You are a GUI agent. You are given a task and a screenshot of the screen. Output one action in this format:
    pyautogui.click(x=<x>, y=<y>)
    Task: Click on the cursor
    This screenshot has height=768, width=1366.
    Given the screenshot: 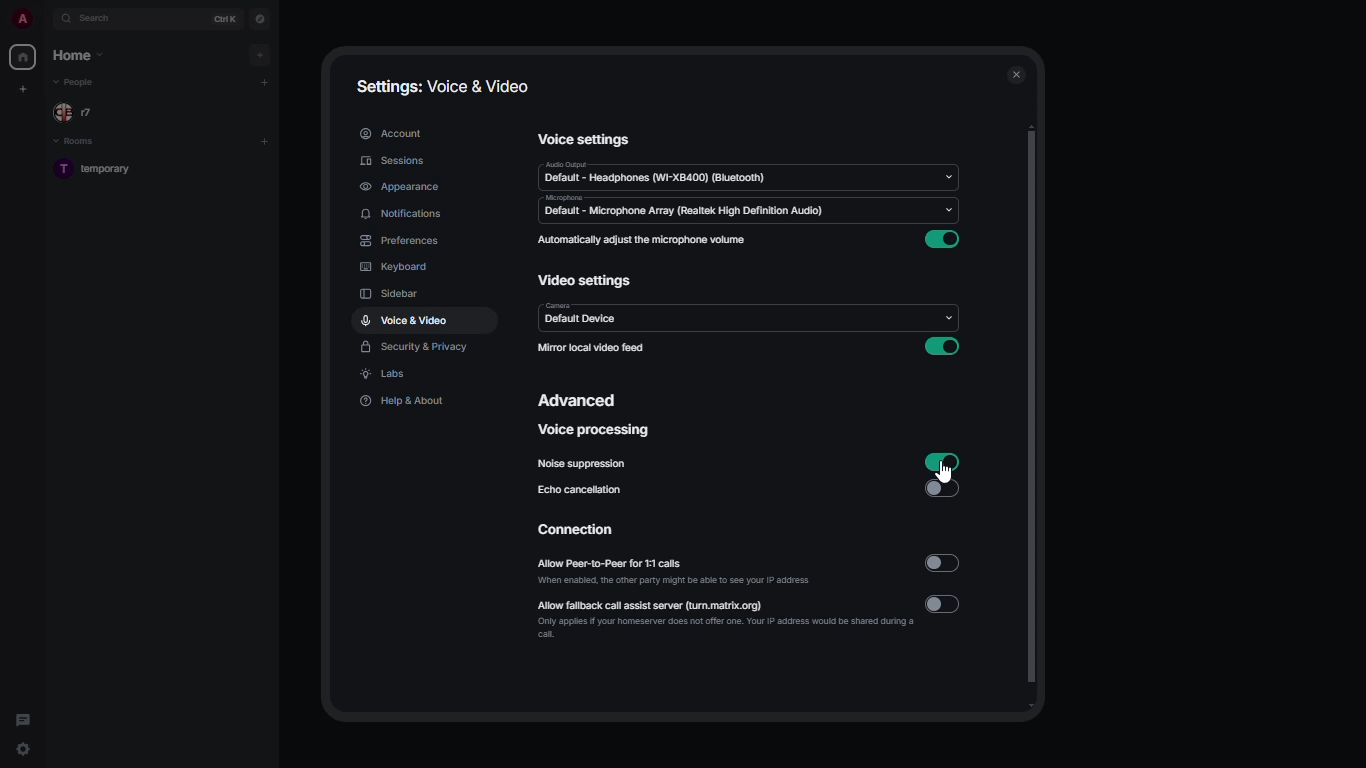 What is the action you would take?
    pyautogui.click(x=948, y=471)
    